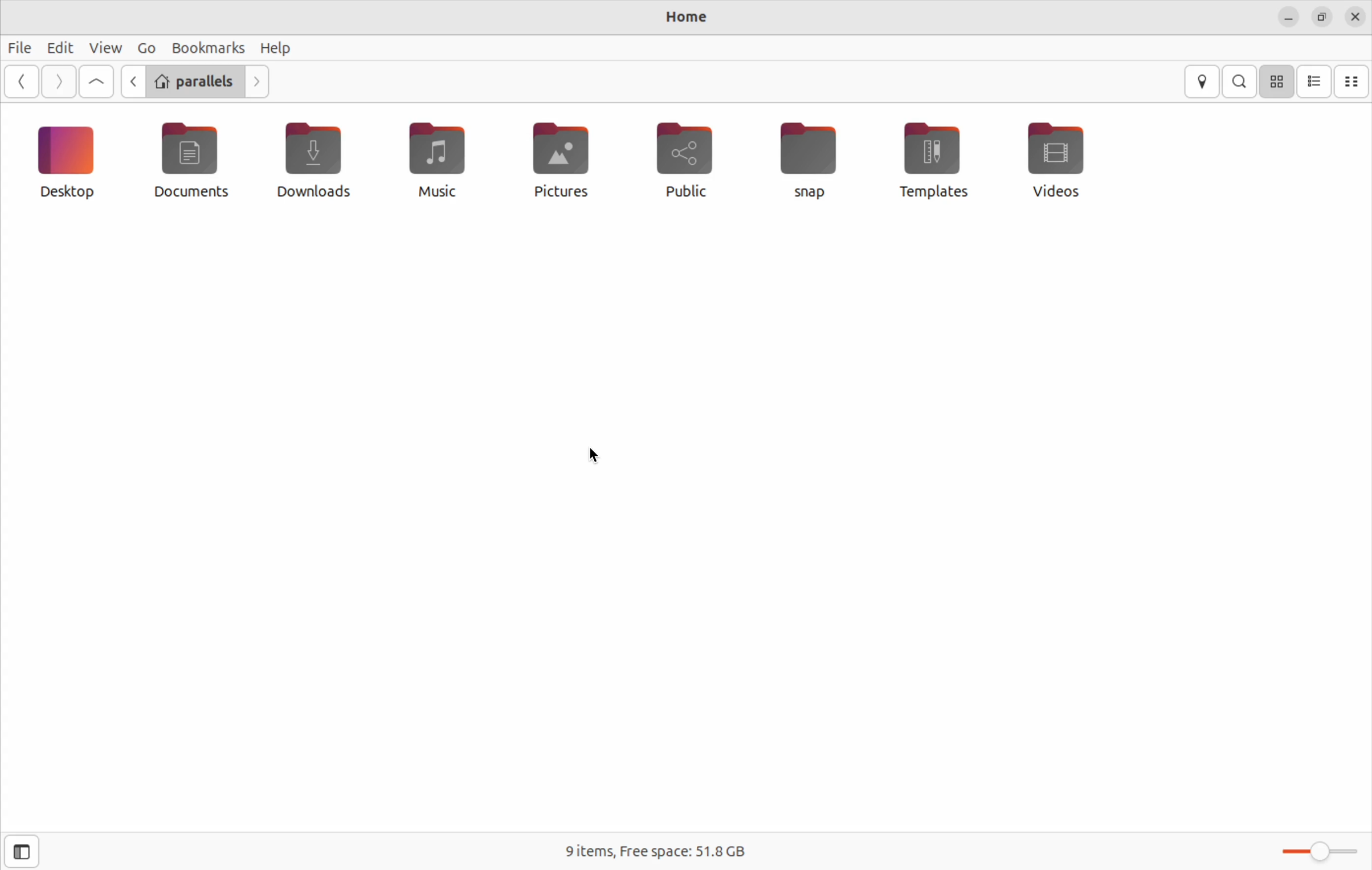  What do you see at coordinates (132, 81) in the screenshot?
I see `previous` at bounding box center [132, 81].